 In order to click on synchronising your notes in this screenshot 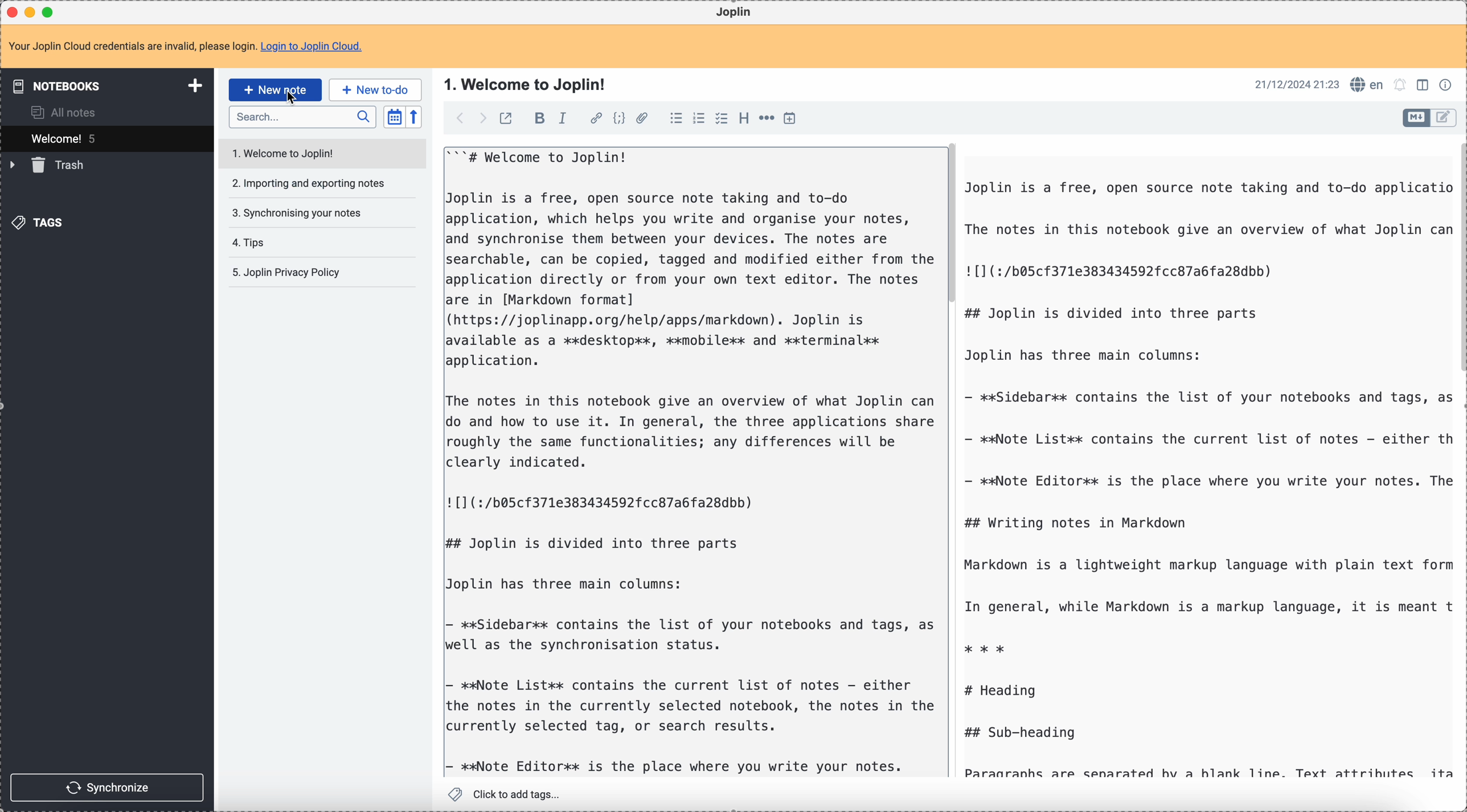, I will do `click(296, 214)`.